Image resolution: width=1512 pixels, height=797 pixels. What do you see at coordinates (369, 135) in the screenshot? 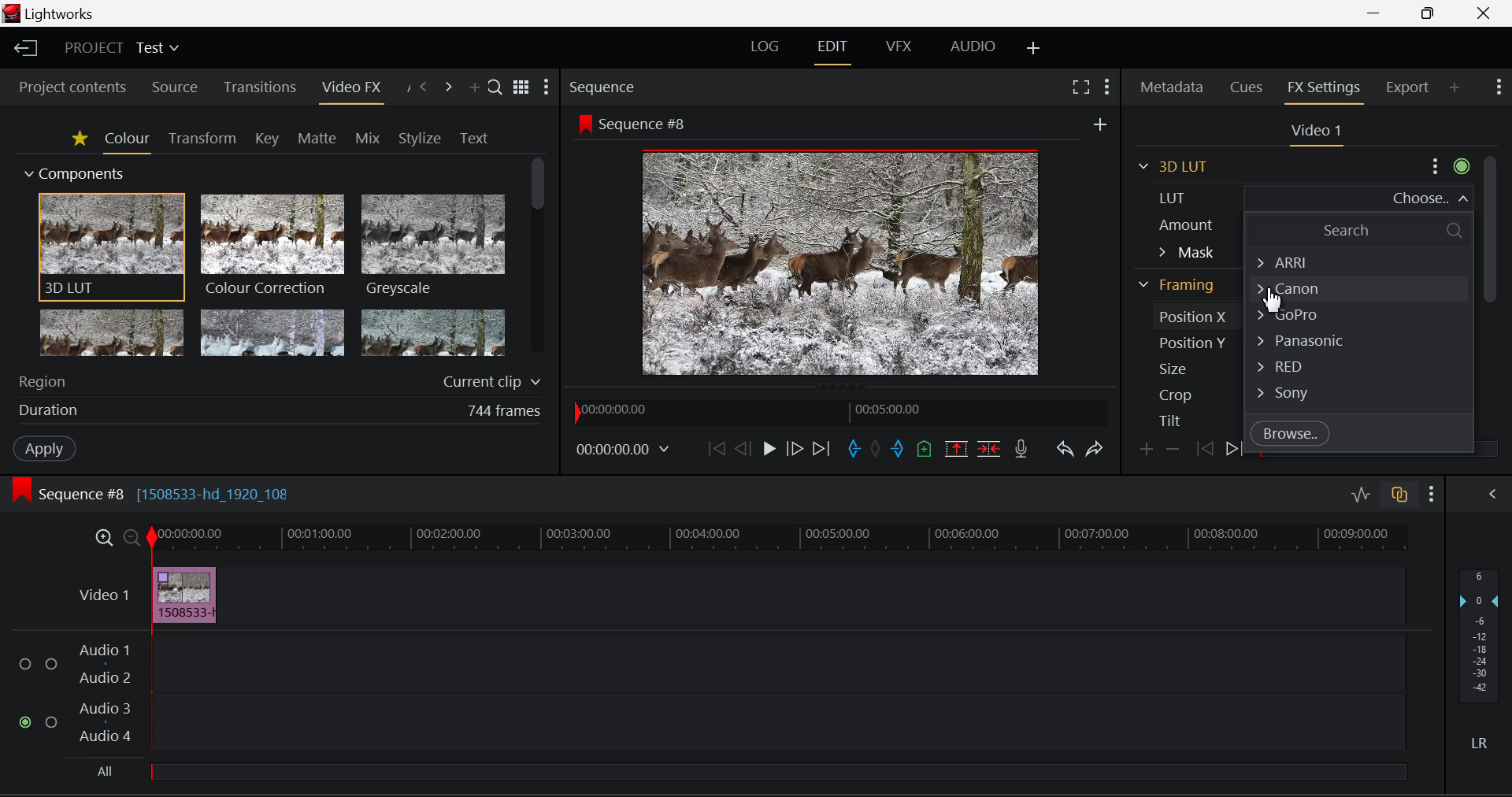
I see `Mix` at bounding box center [369, 135].